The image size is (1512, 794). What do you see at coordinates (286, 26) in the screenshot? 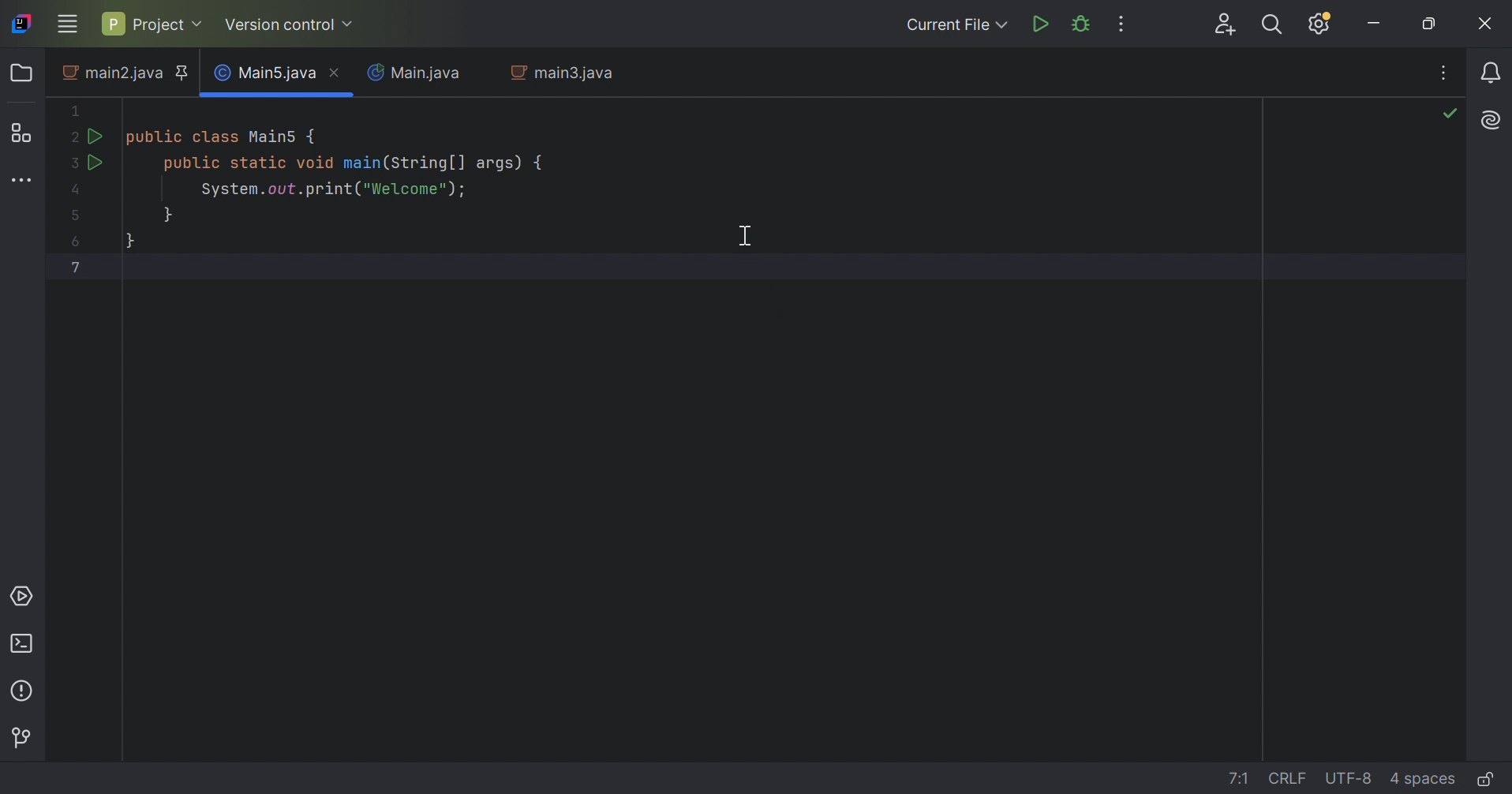
I see `Version control` at bounding box center [286, 26].